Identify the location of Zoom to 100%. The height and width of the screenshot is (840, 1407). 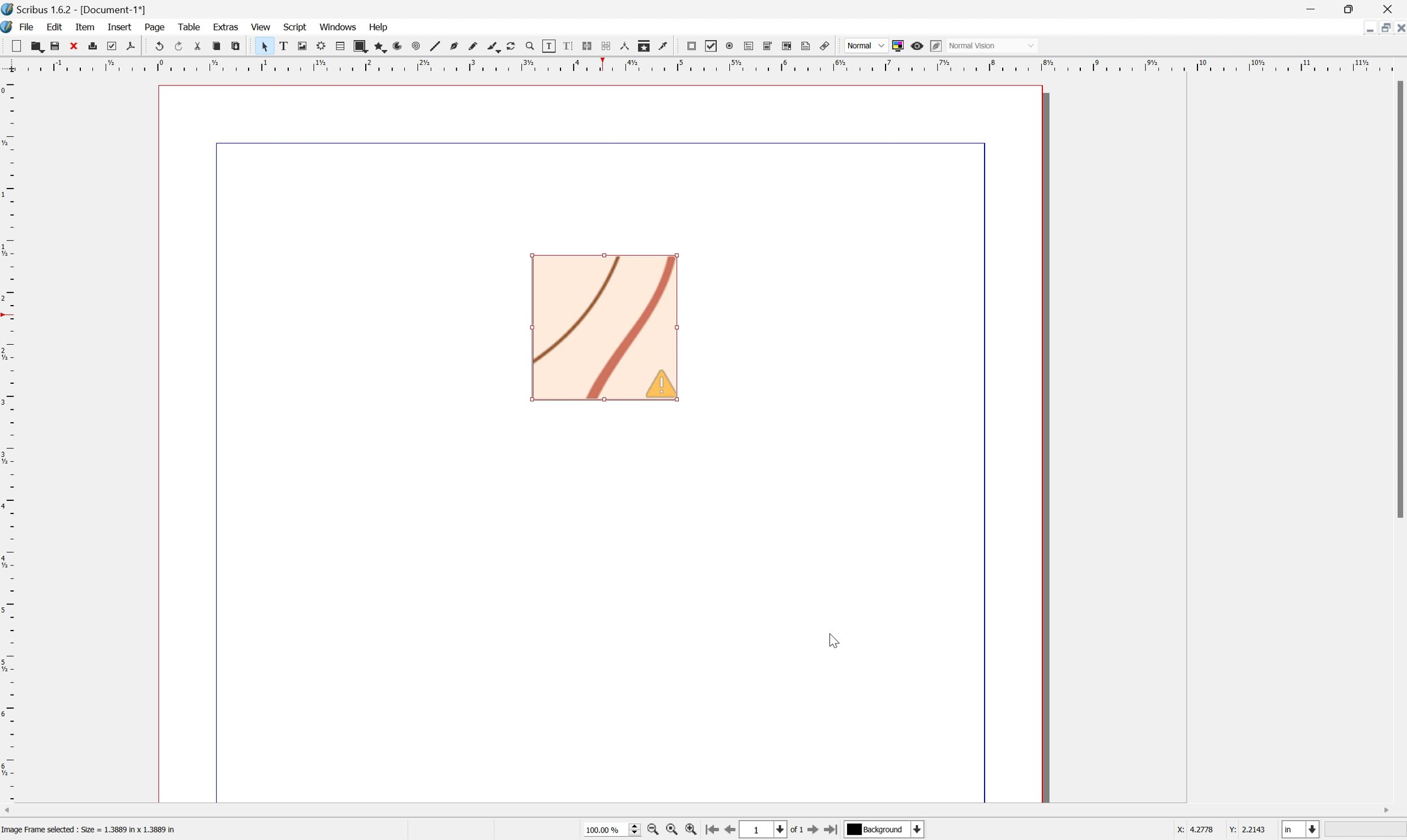
(674, 830).